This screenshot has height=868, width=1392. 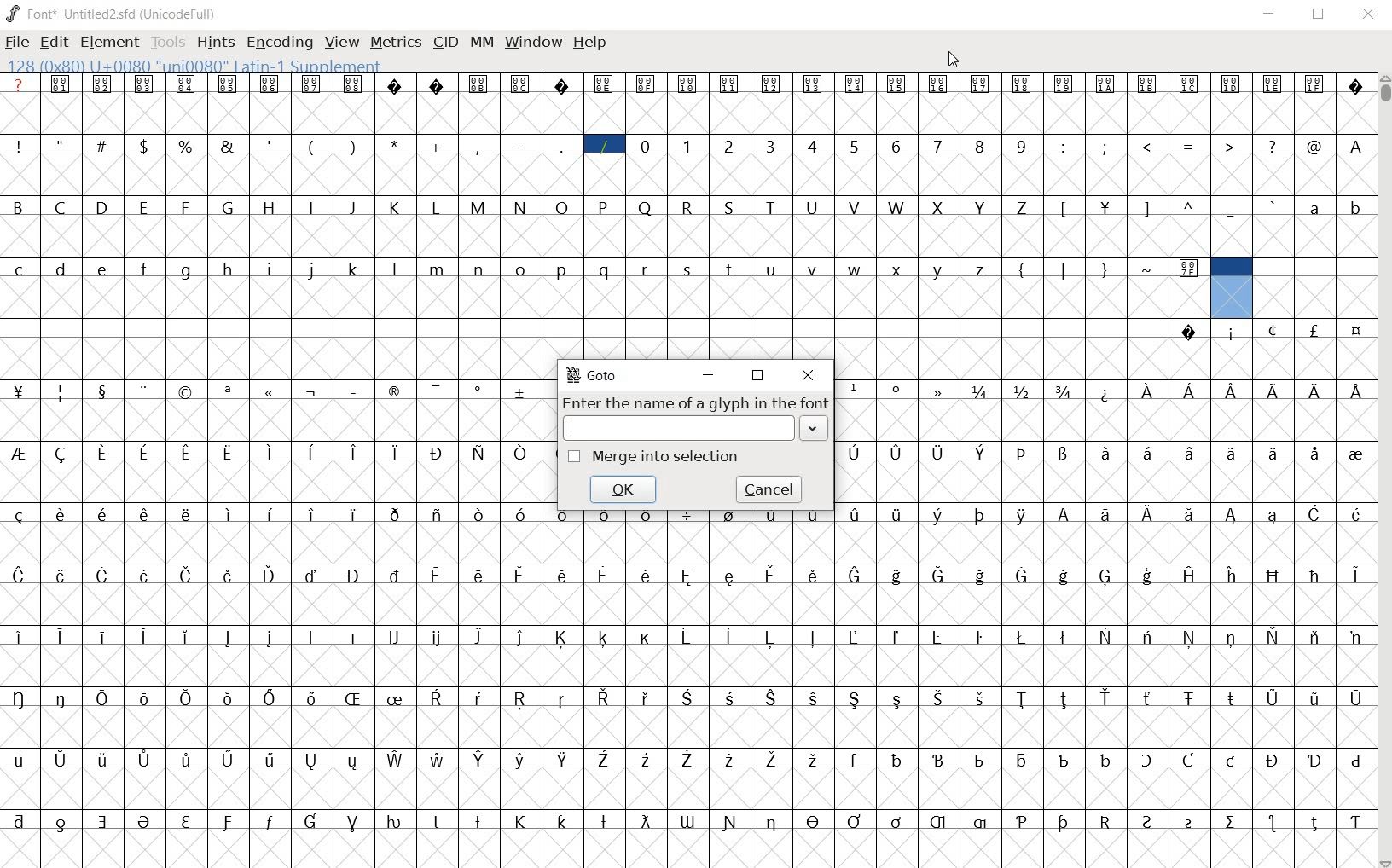 What do you see at coordinates (521, 269) in the screenshot?
I see `o` at bounding box center [521, 269].